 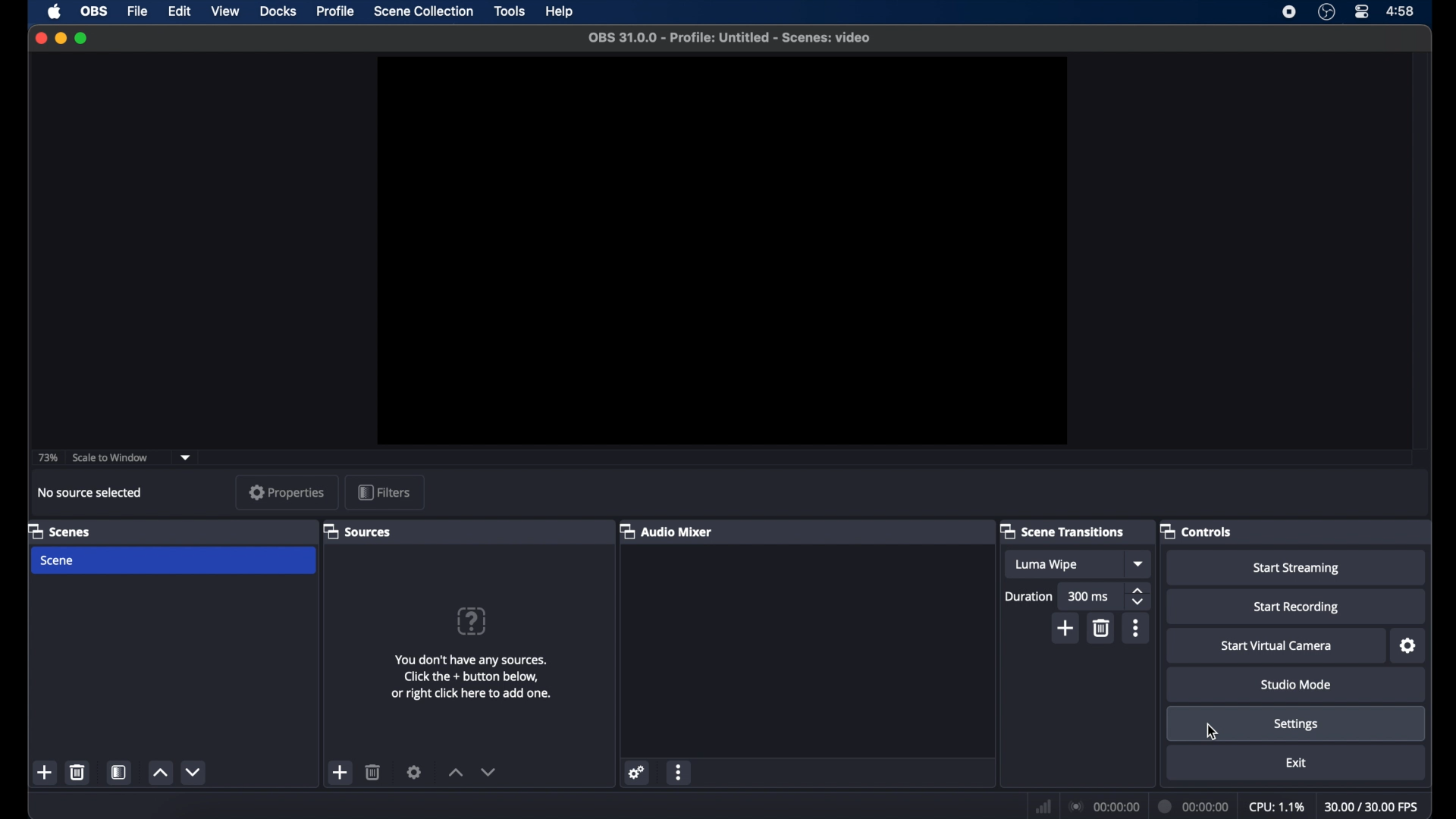 I want to click on You don't have any sources.
Click the + button below,
or right click here to add one., so click(x=466, y=678).